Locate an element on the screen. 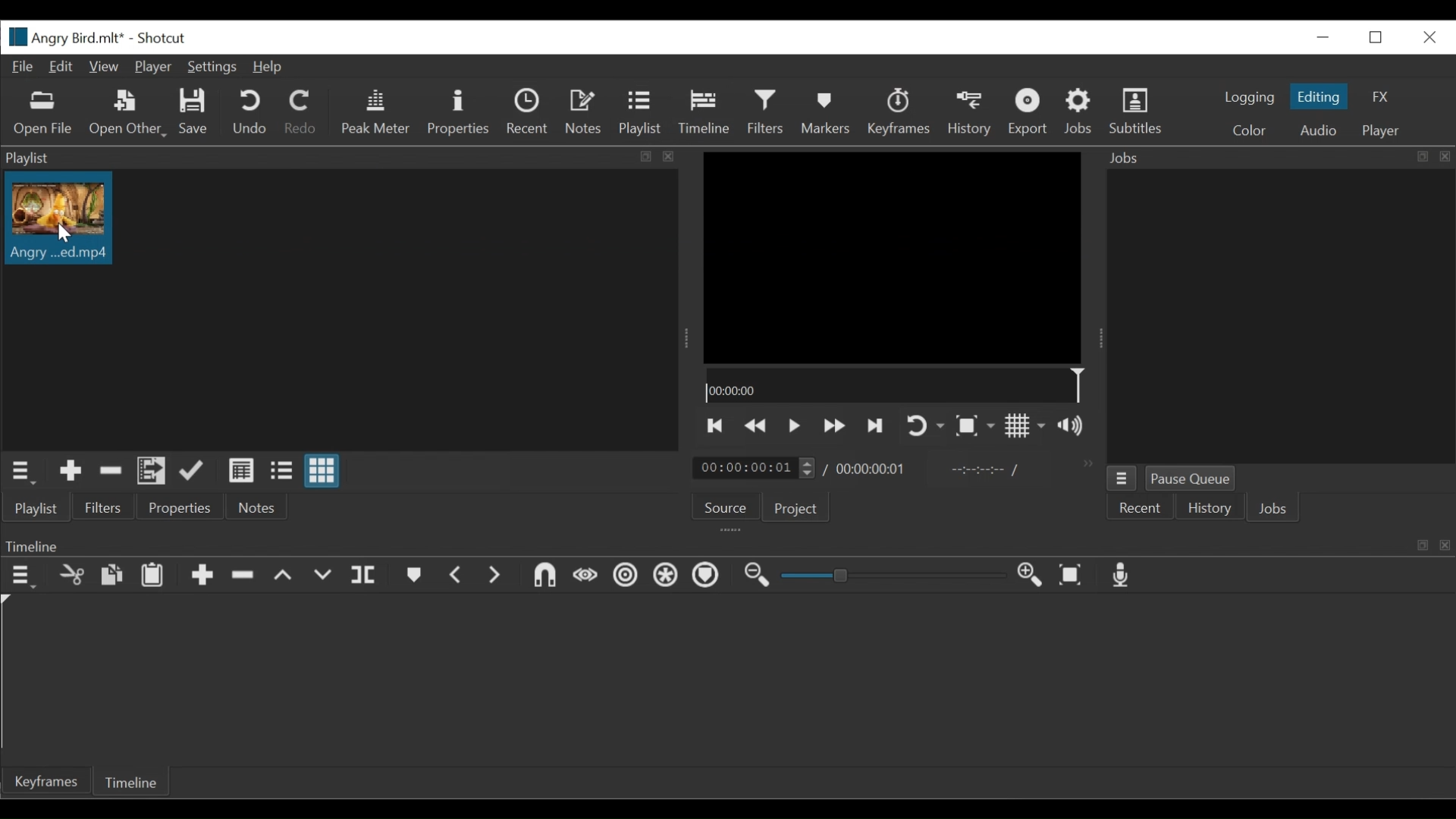  Help is located at coordinates (269, 67).